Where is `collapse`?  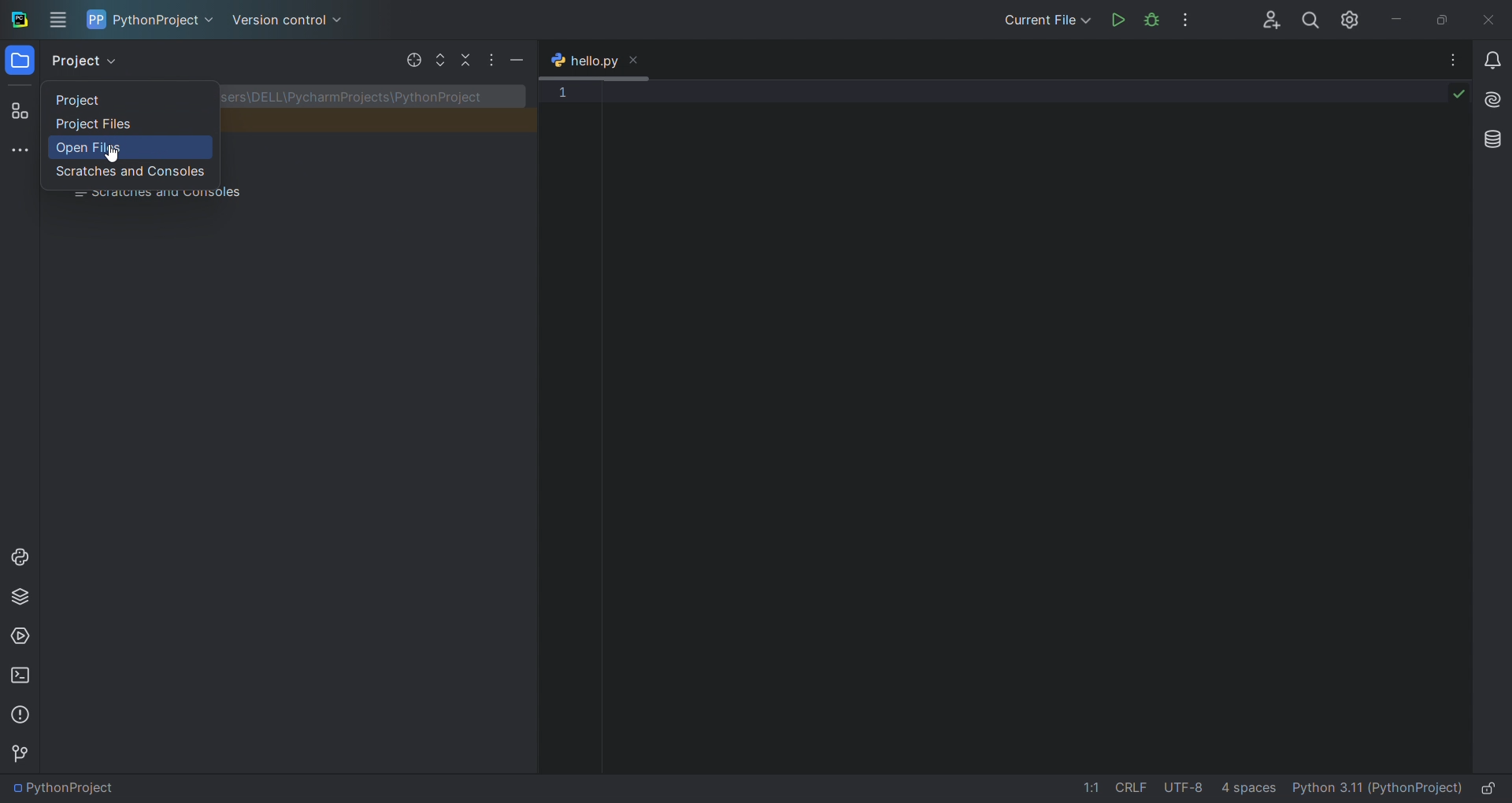 collapse is located at coordinates (464, 59).